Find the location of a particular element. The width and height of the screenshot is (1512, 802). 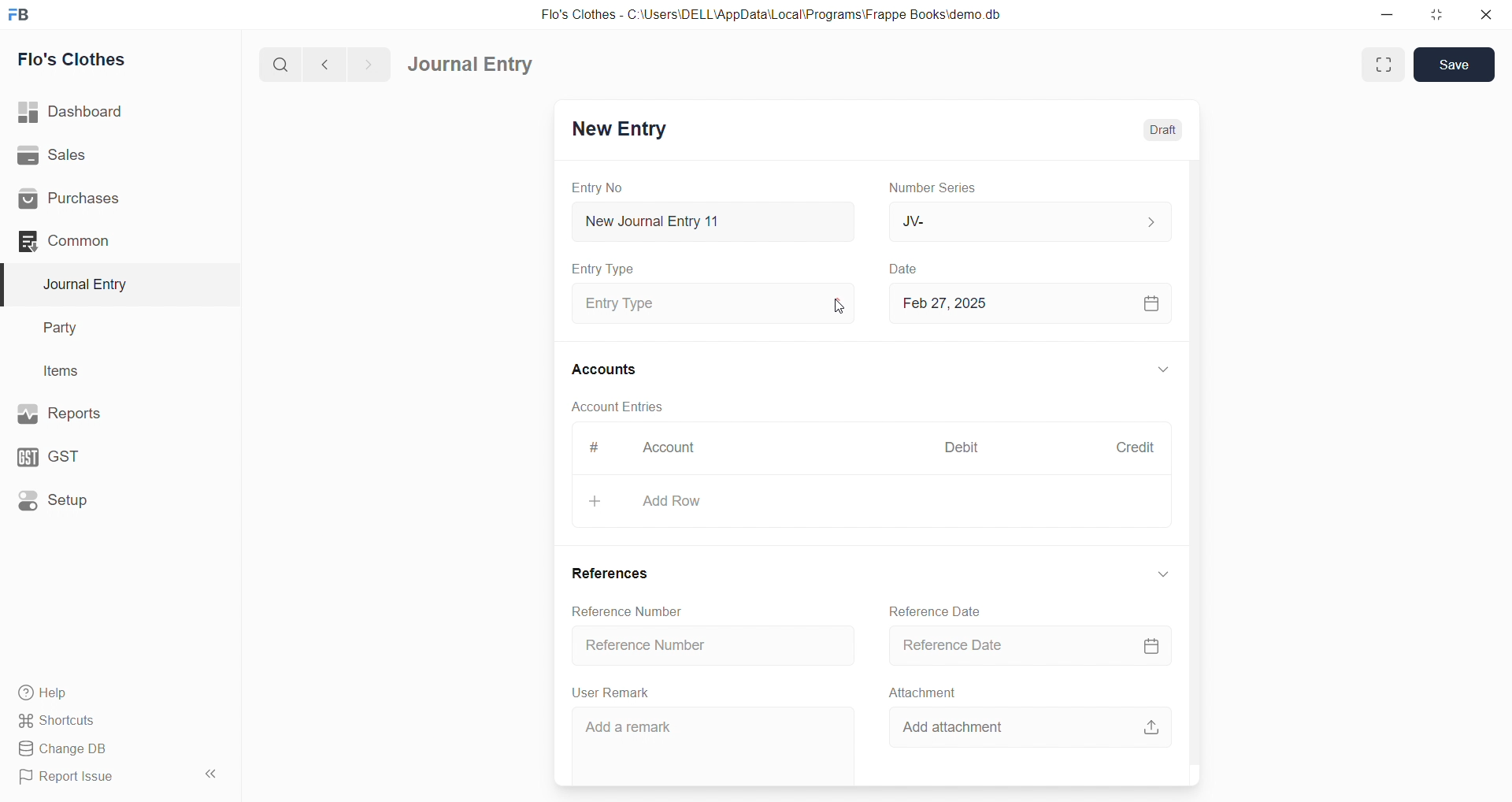

Account is located at coordinates (676, 446).